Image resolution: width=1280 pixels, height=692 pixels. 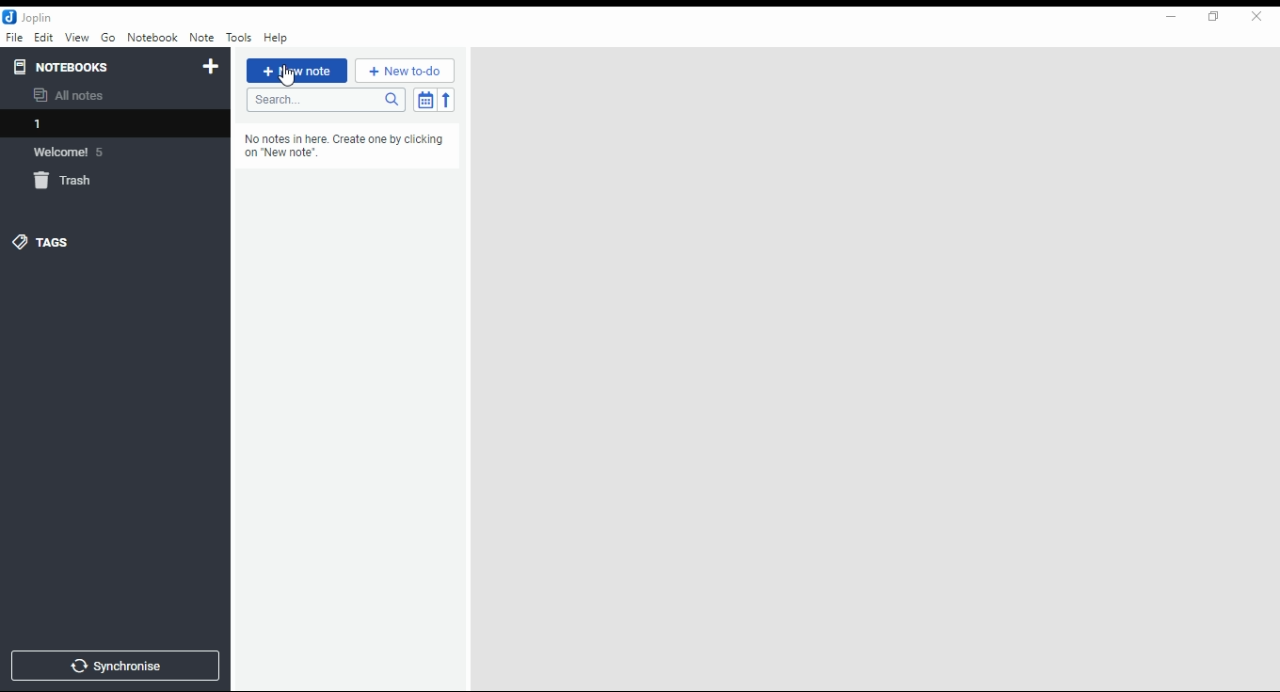 What do you see at coordinates (52, 247) in the screenshot?
I see `tags` at bounding box center [52, 247].